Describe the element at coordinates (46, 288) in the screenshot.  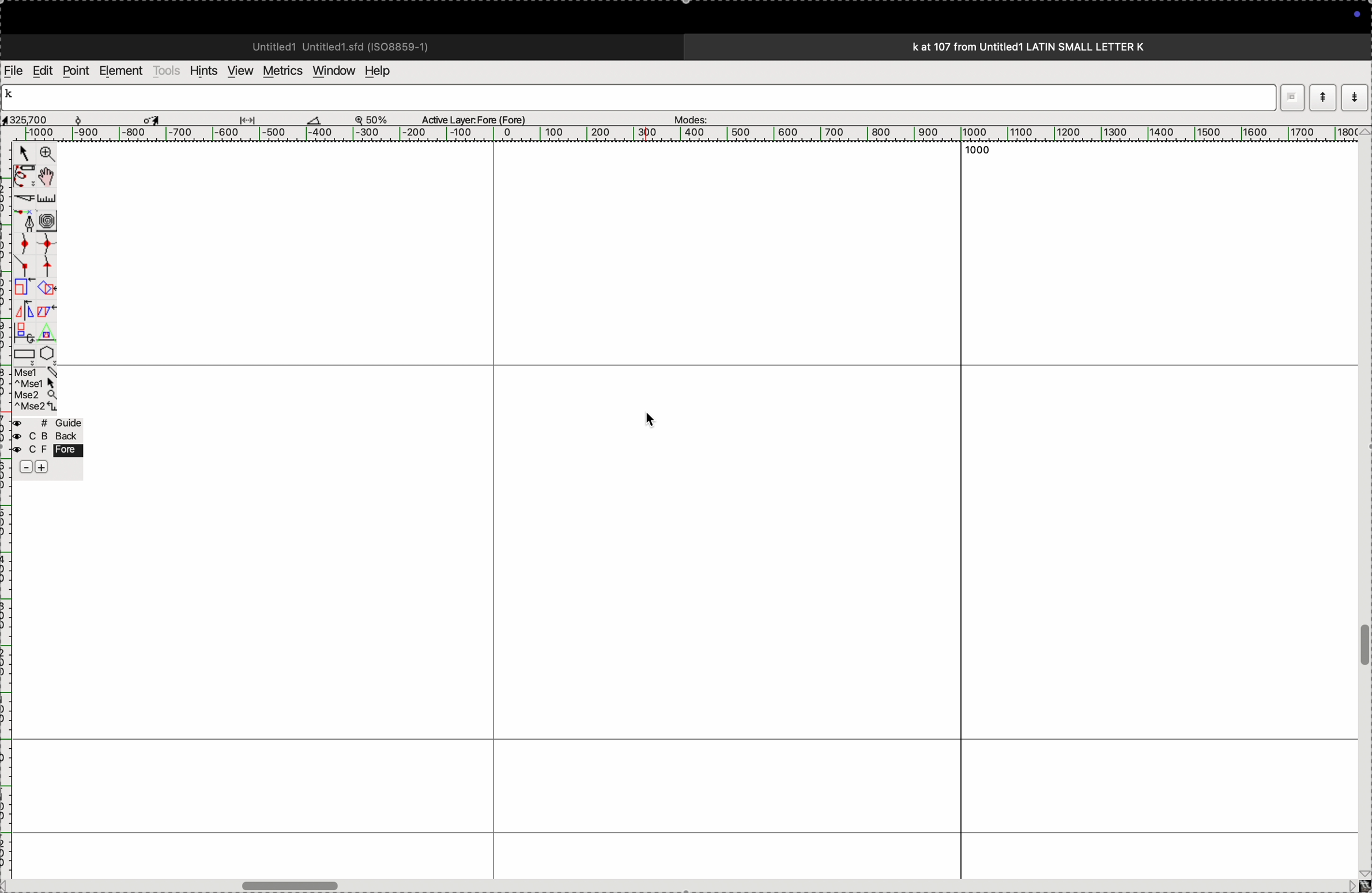
I see `shapes` at that location.